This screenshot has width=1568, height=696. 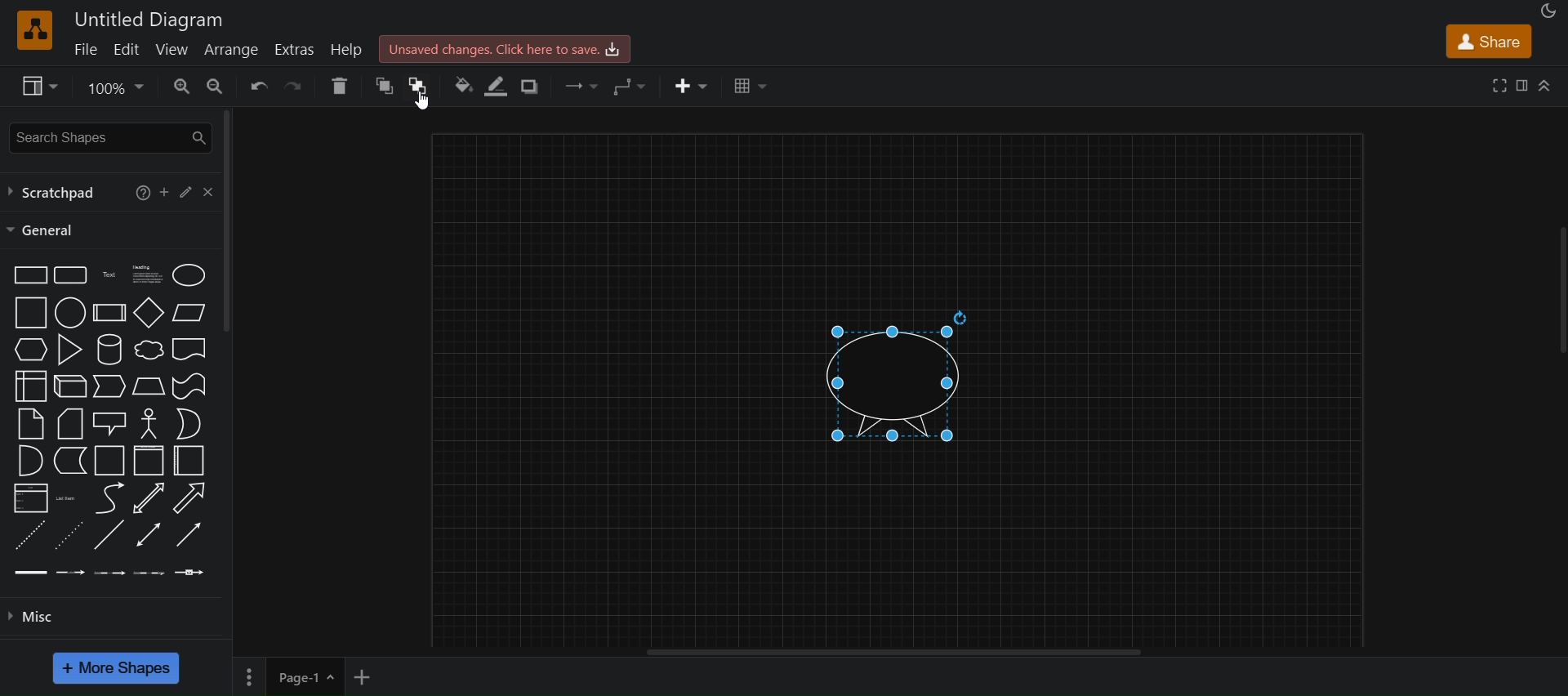 I want to click on help, so click(x=140, y=194).